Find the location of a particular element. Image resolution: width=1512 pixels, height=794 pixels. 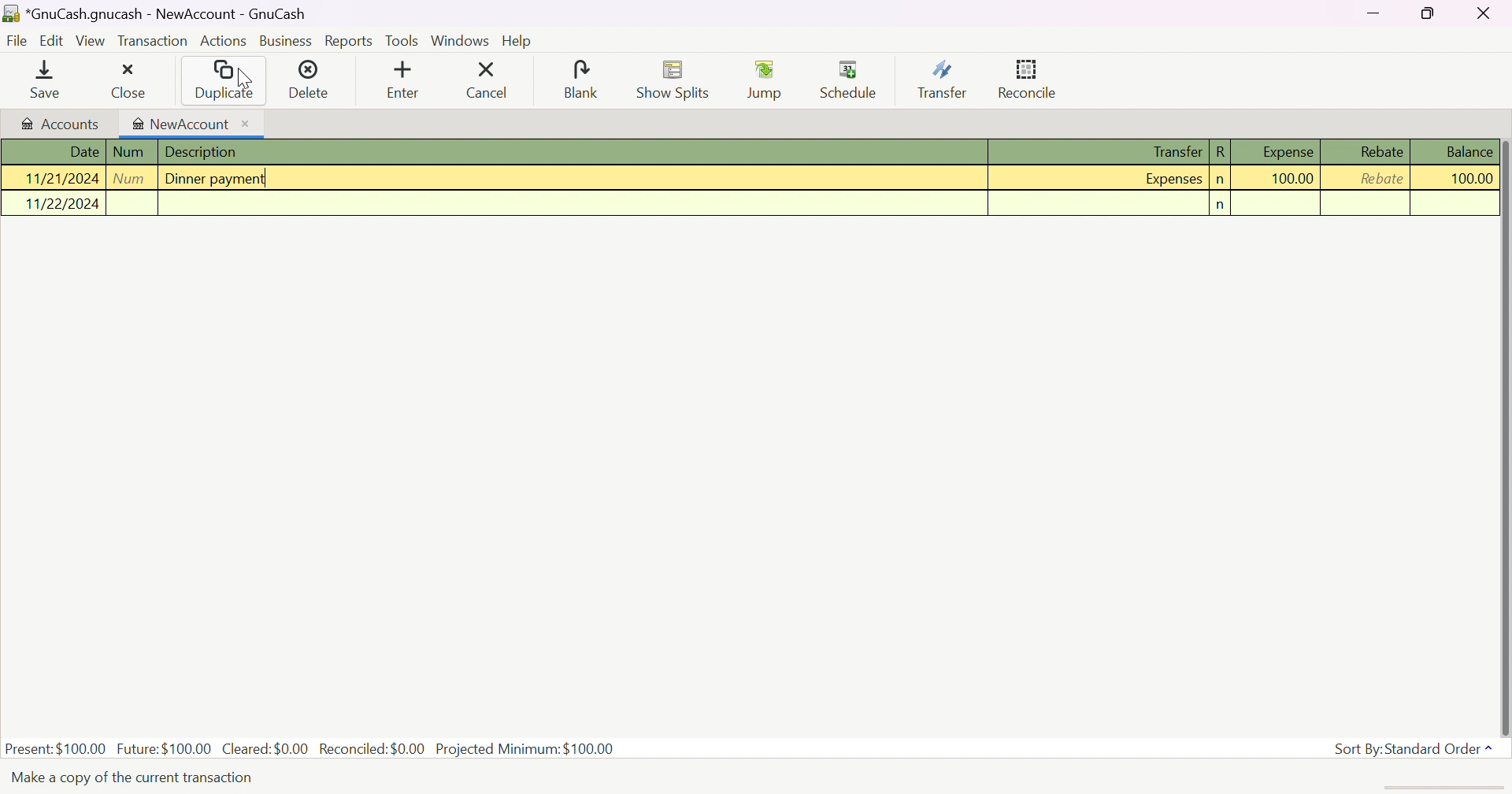

Num is located at coordinates (129, 151).